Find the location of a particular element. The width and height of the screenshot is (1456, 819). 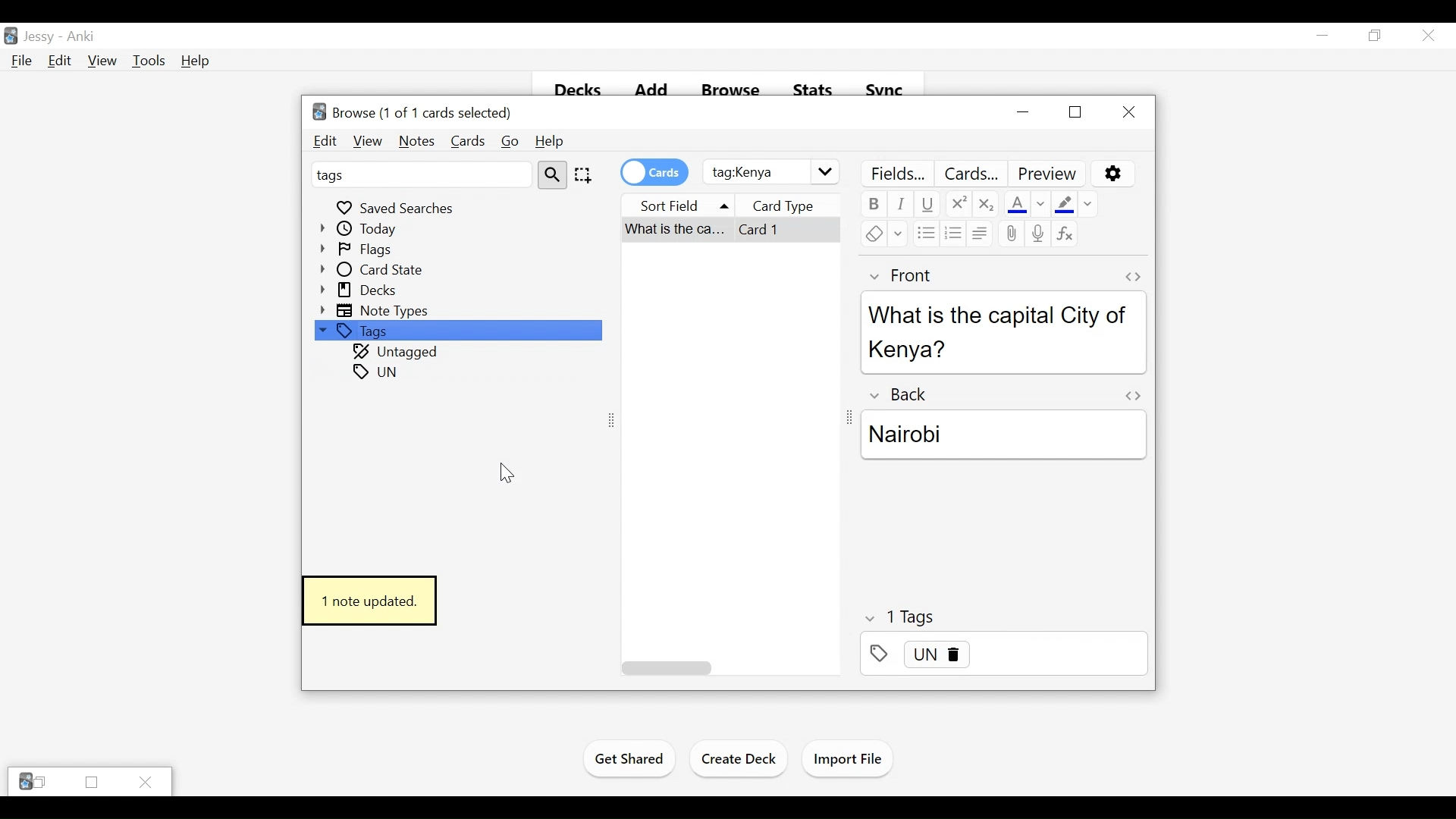

Alignment is located at coordinates (980, 234).